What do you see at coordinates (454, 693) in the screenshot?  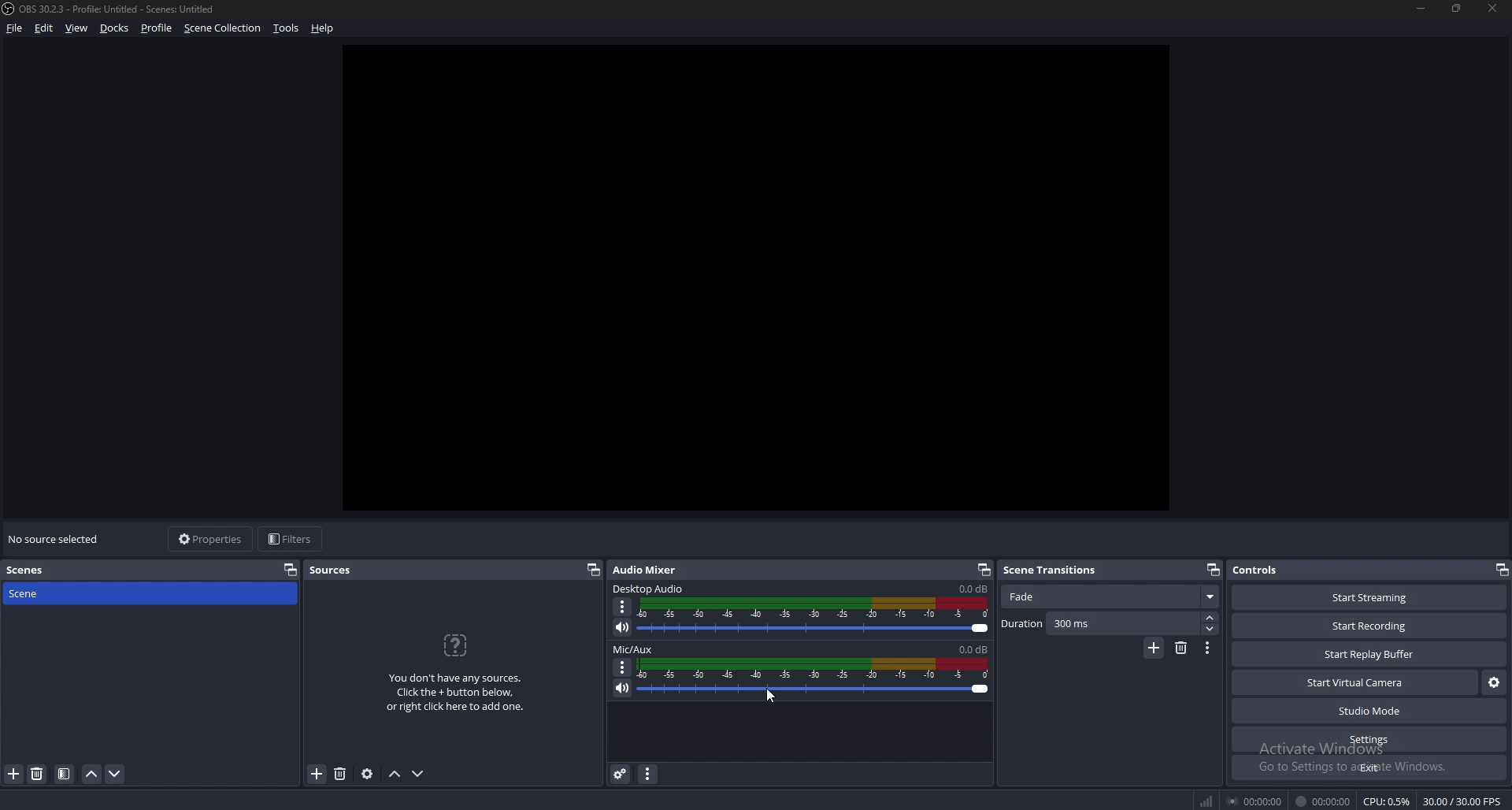 I see `You don't have any sources.Click the + button below,or right click here to add one.` at bounding box center [454, 693].